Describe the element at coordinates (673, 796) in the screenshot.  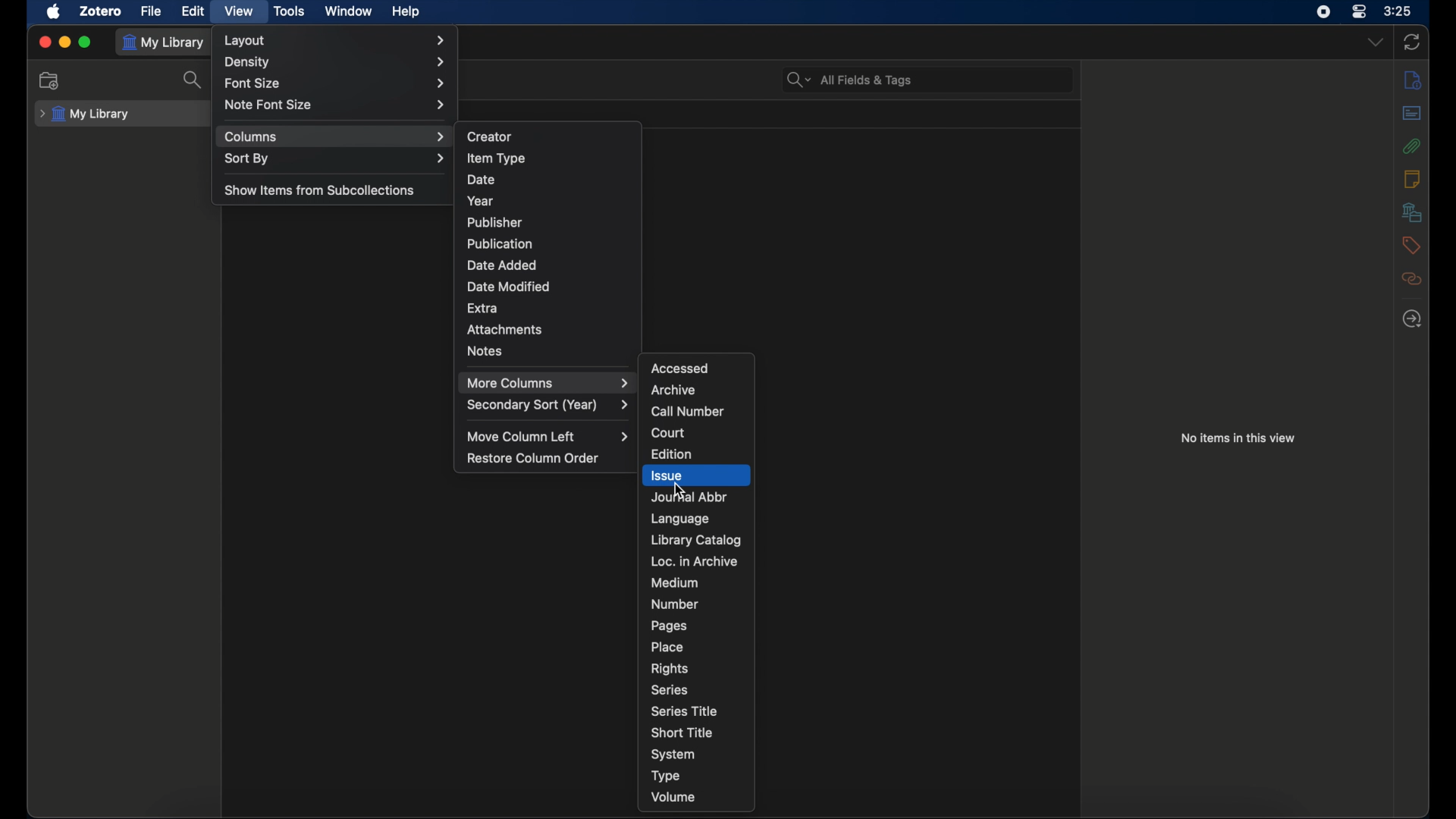
I see `volume` at that location.